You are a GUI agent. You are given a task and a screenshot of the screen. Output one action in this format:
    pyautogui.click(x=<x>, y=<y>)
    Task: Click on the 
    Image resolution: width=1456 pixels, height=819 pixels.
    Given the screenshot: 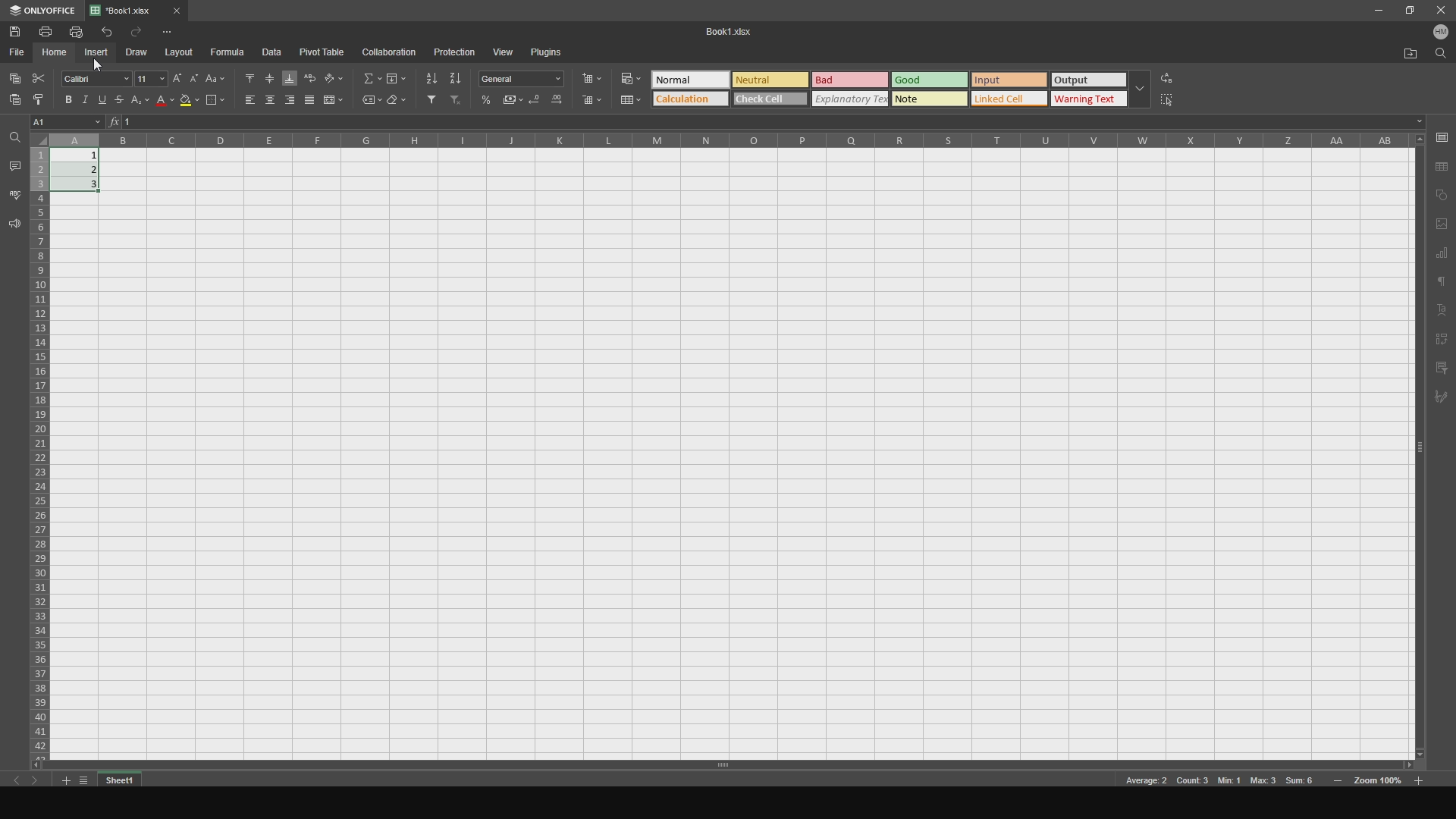 What is the action you would take?
    pyautogui.click(x=538, y=101)
    